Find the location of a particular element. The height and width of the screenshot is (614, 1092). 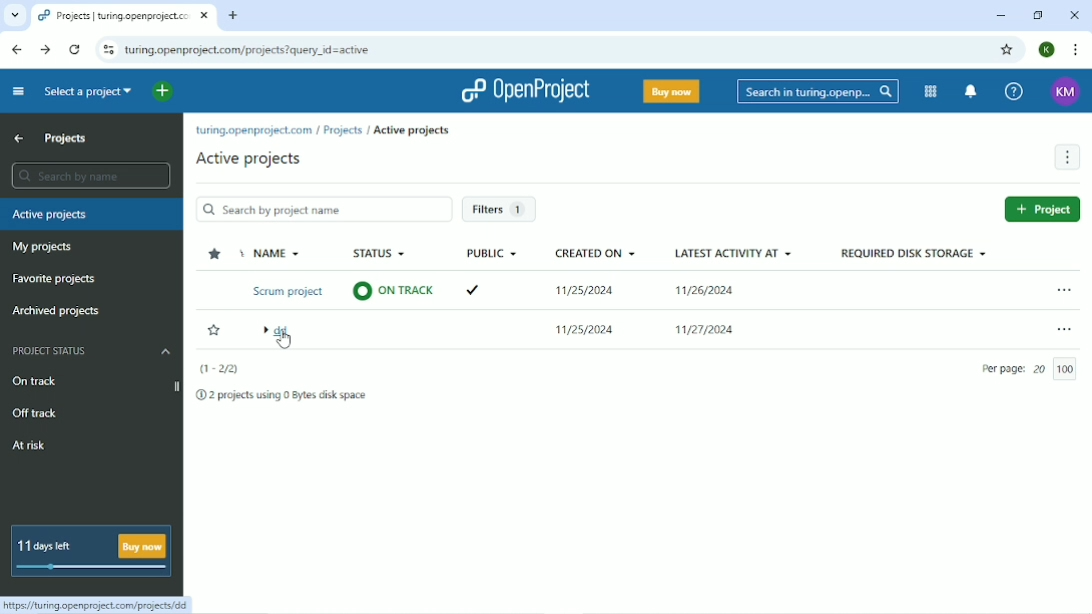

Per page 10/100 is located at coordinates (1031, 370).